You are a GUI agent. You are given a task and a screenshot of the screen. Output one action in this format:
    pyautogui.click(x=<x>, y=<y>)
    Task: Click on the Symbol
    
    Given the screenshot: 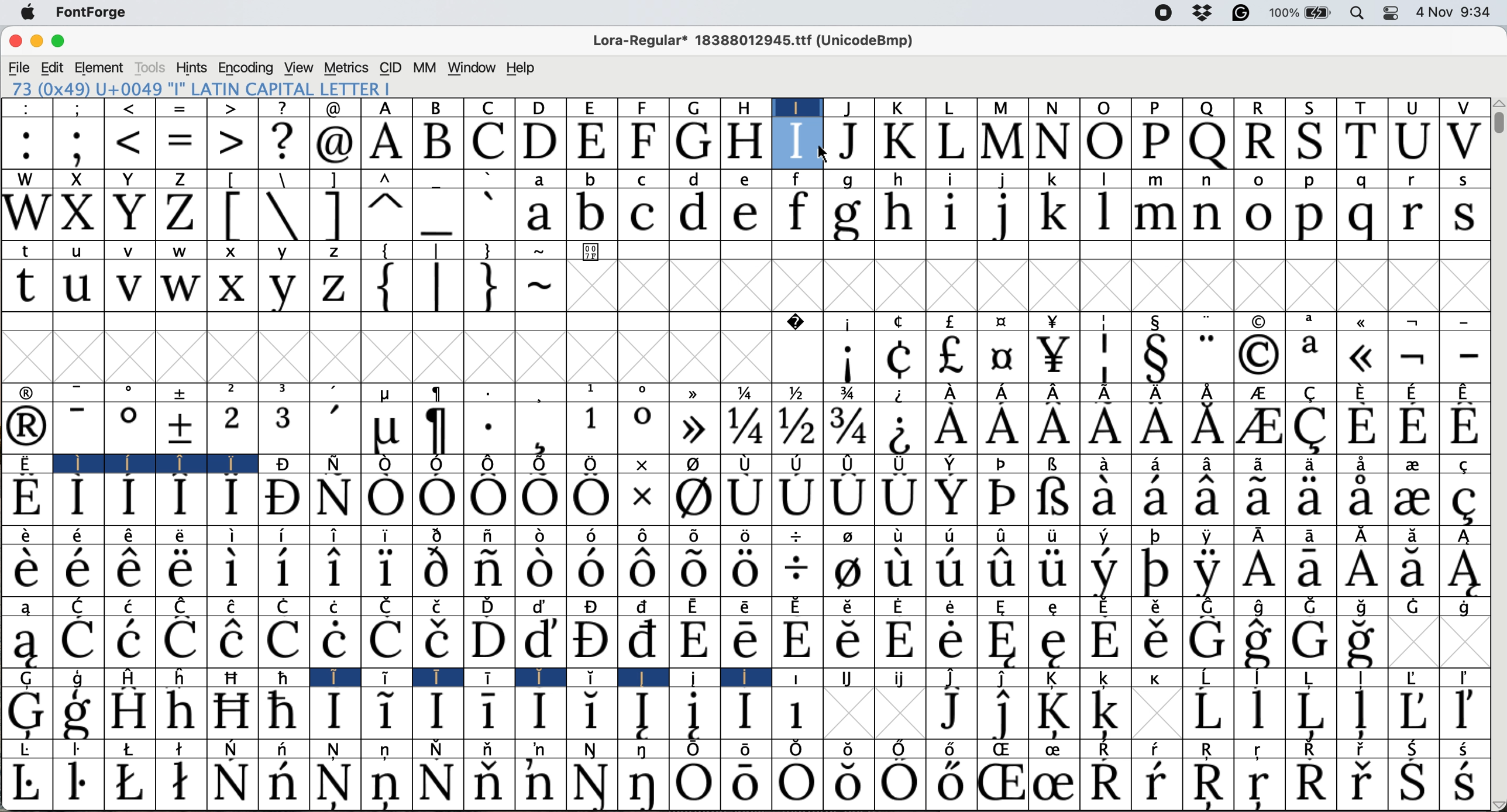 What is the action you would take?
    pyautogui.click(x=494, y=677)
    